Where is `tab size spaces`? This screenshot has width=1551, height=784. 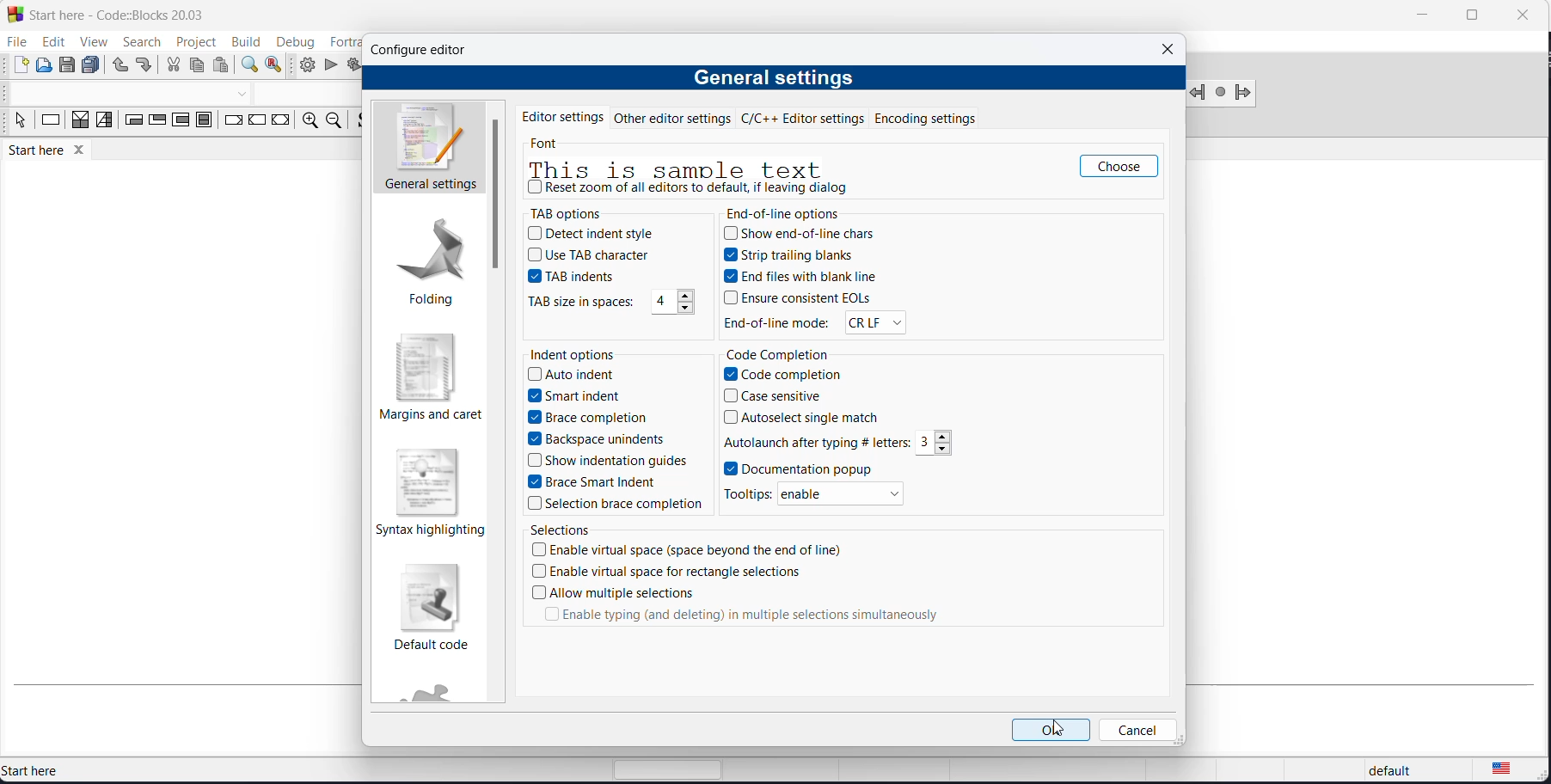
tab size spaces is located at coordinates (662, 303).